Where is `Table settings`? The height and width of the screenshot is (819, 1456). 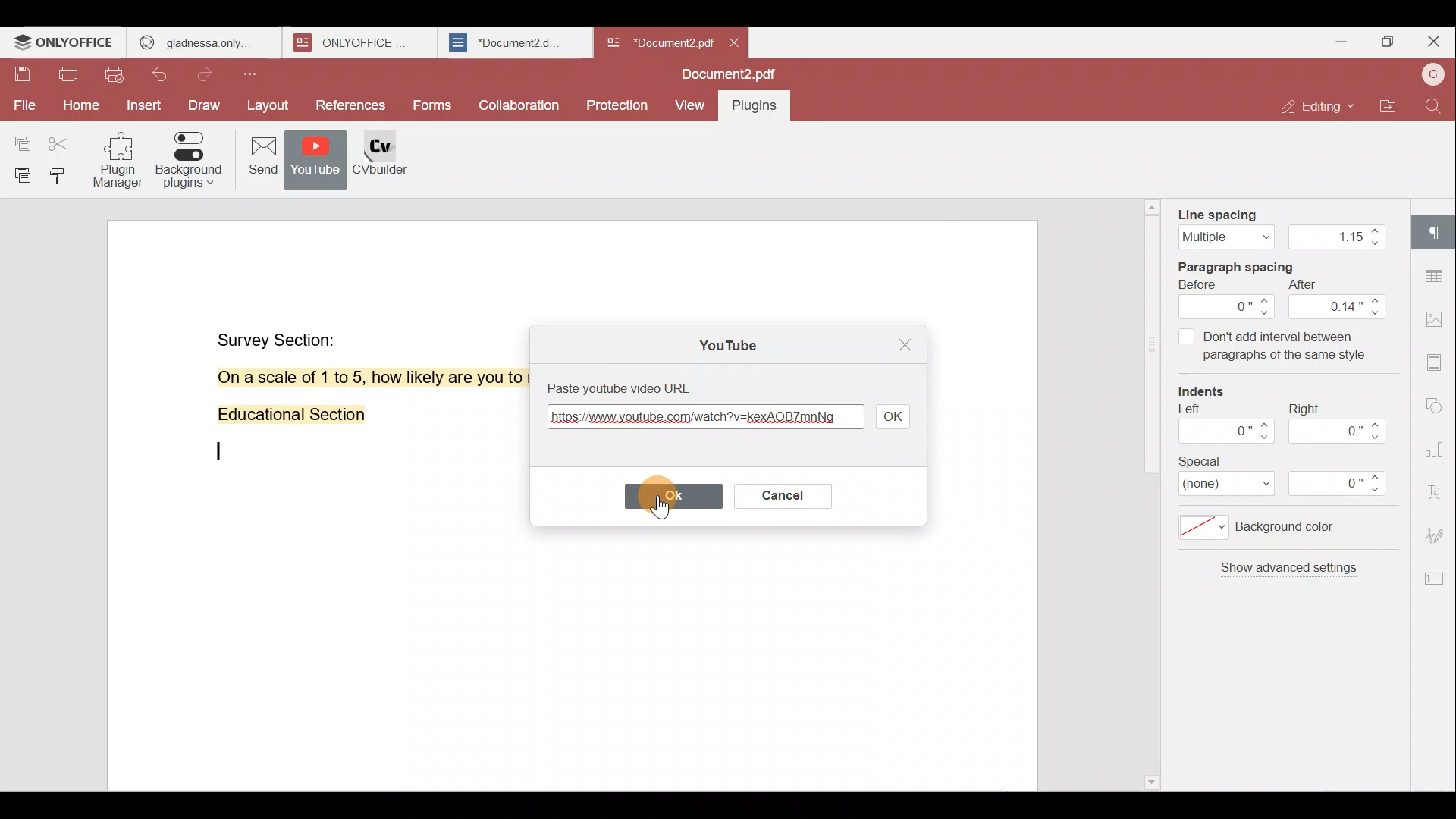
Table settings is located at coordinates (1436, 272).